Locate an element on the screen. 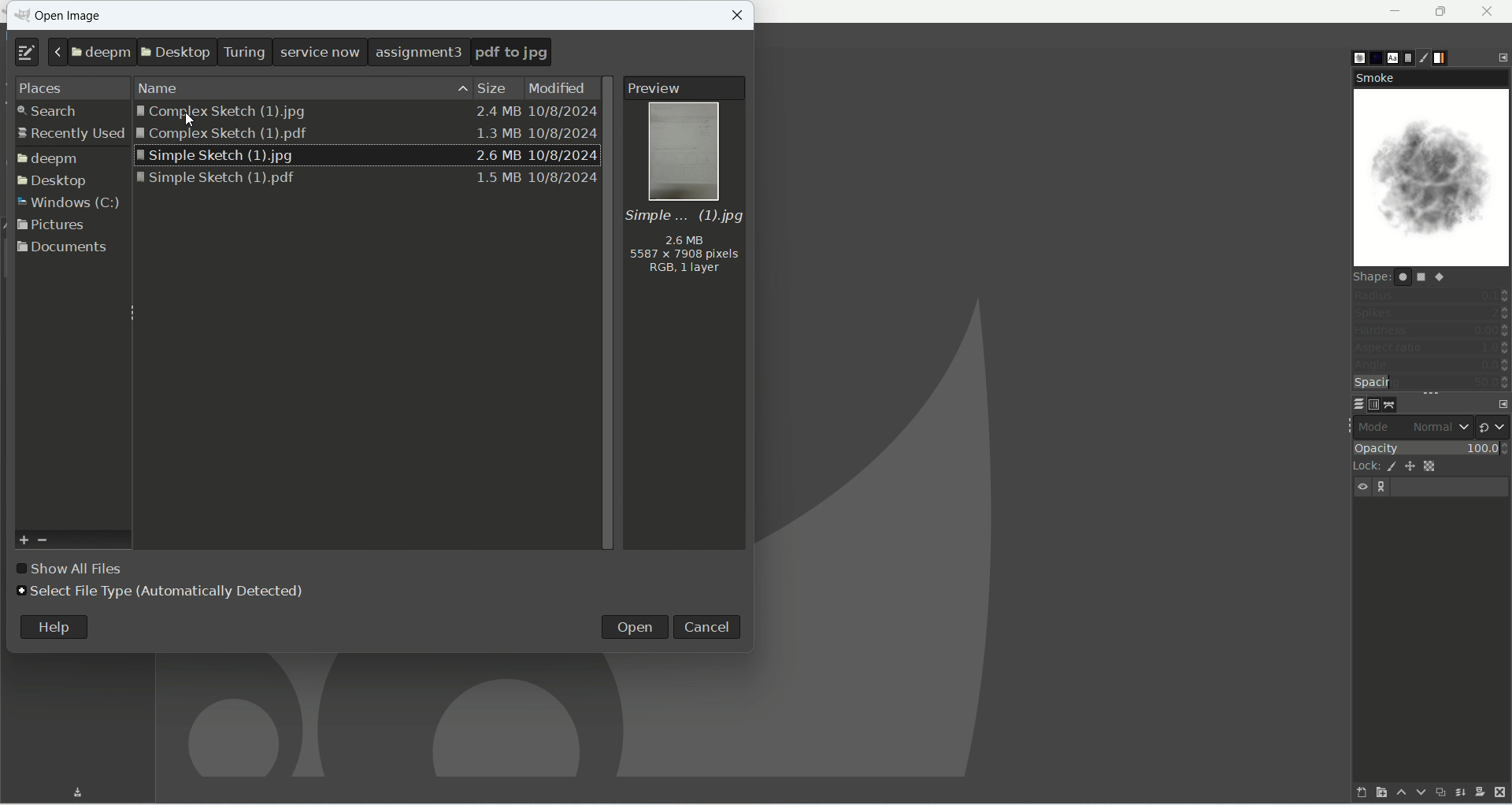 The height and width of the screenshot is (805, 1512). brushes is located at coordinates (1354, 58).